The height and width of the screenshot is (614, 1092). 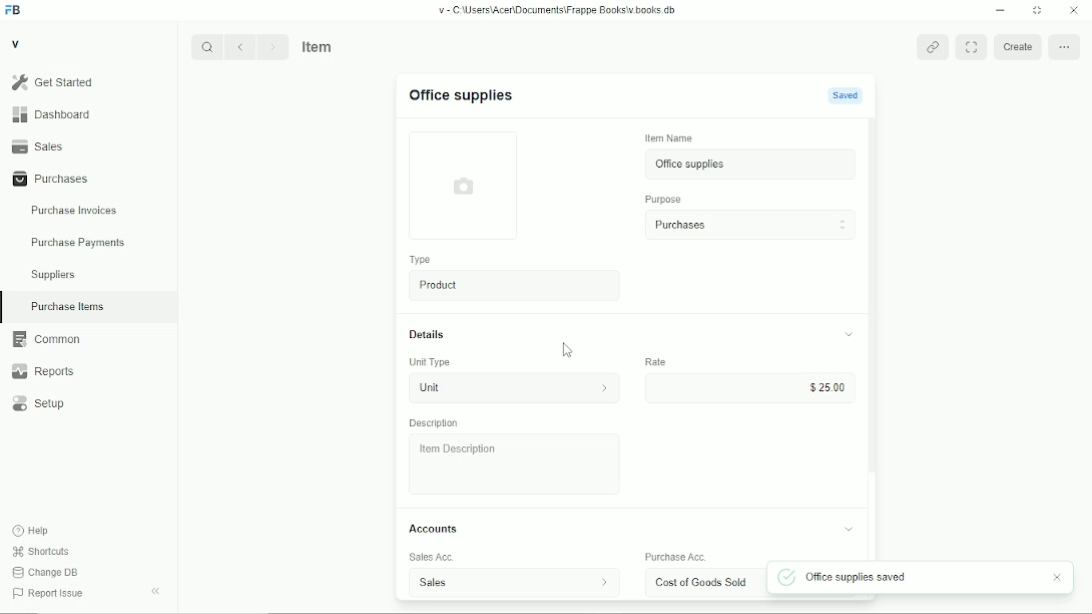 I want to click on description, so click(x=434, y=423).